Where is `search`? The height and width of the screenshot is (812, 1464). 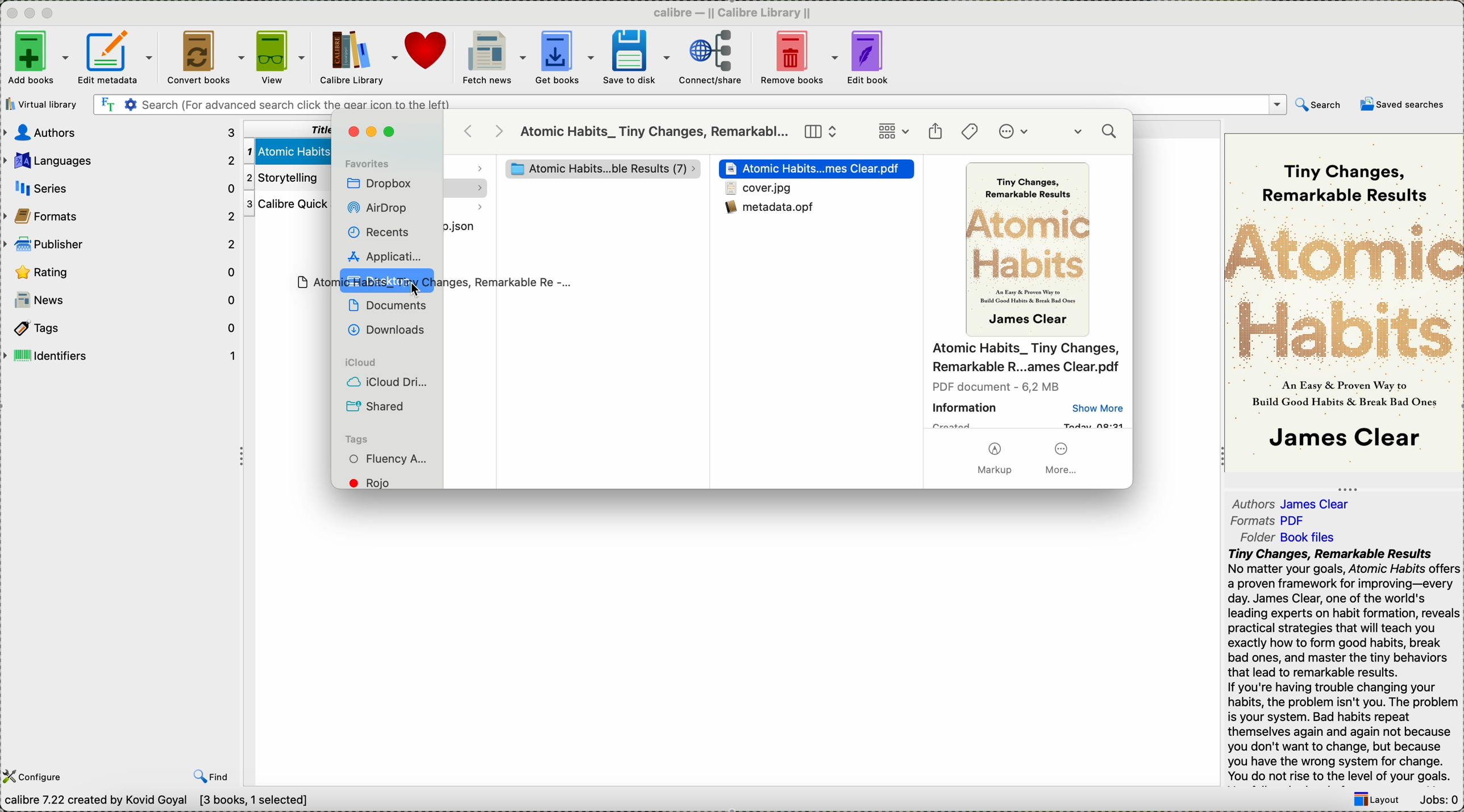 search is located at coordinates (1097, 134).